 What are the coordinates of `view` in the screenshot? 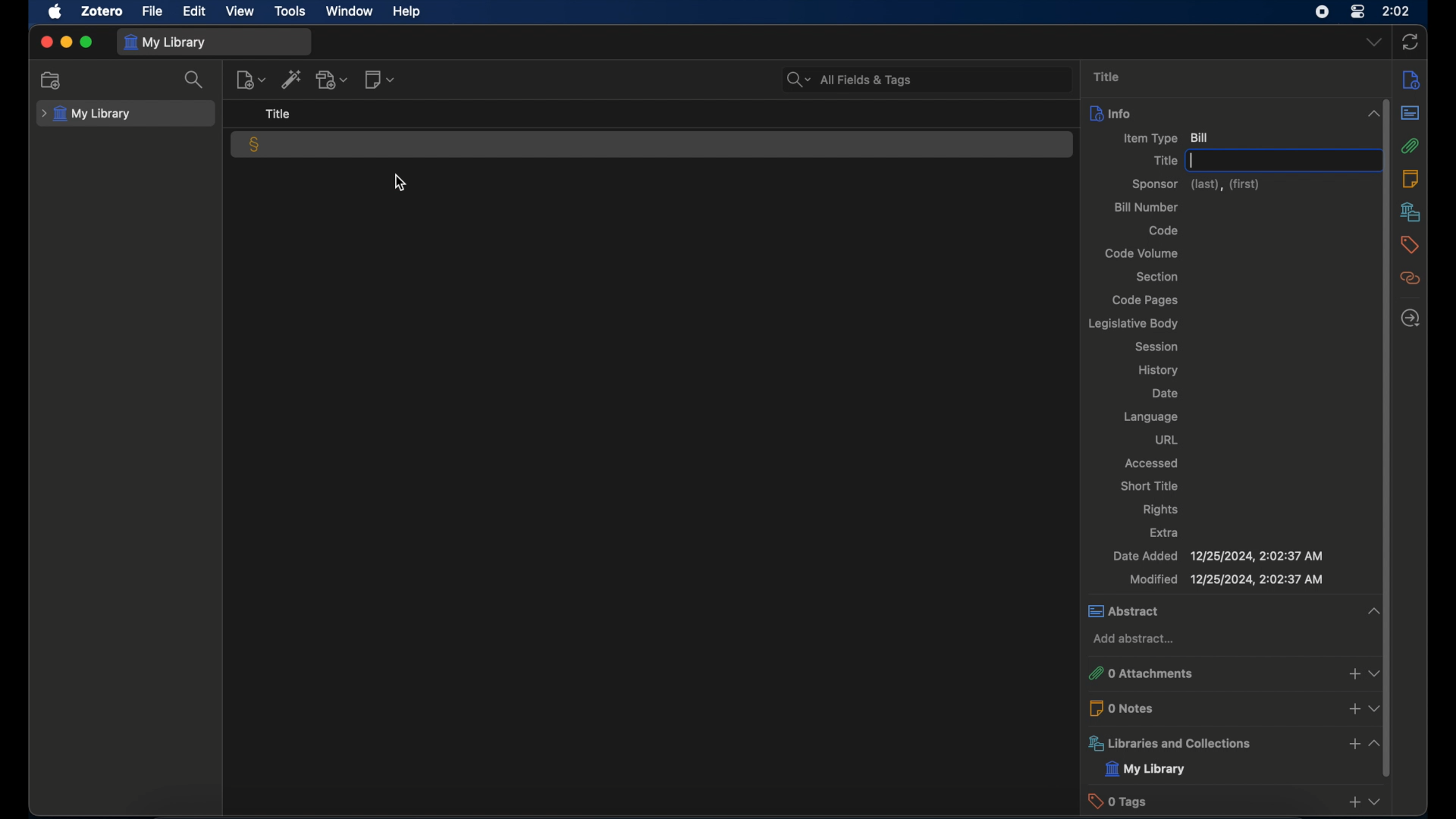 It's located at (241, 11).